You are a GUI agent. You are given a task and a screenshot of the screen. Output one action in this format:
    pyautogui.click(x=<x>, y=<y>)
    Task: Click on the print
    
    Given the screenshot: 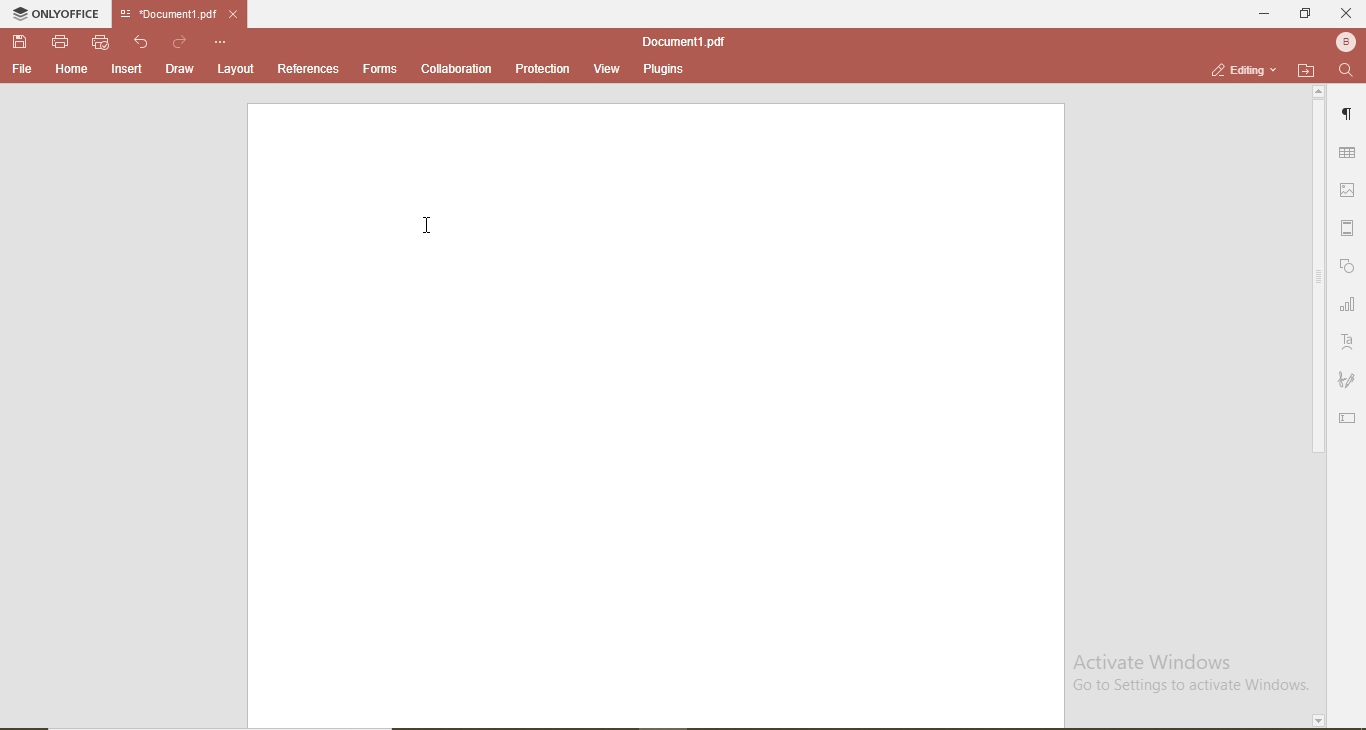 What is the action you would take?
    pyautogui.click(x=62, y=43)
    